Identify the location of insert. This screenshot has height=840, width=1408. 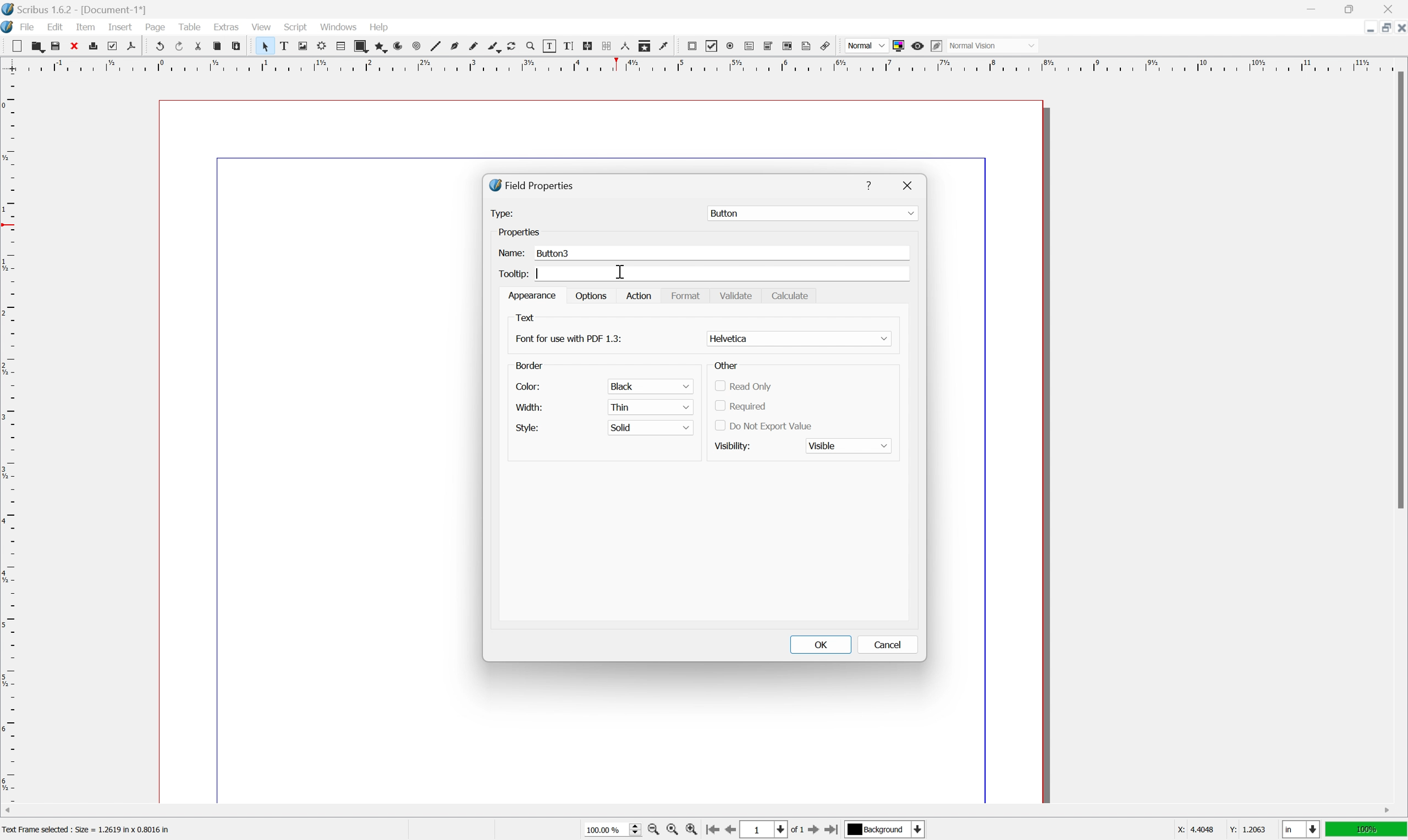
(122, 28).